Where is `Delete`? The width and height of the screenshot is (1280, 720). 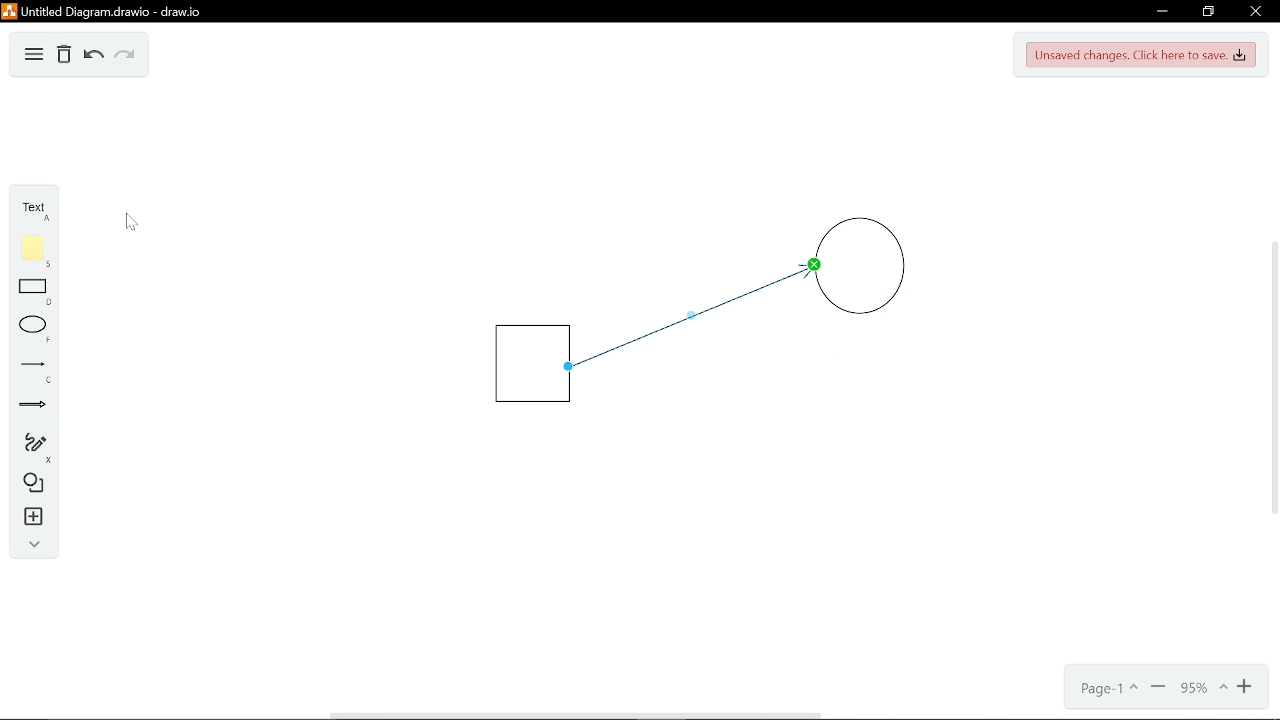
Delete is located at coordinates (64, 55).